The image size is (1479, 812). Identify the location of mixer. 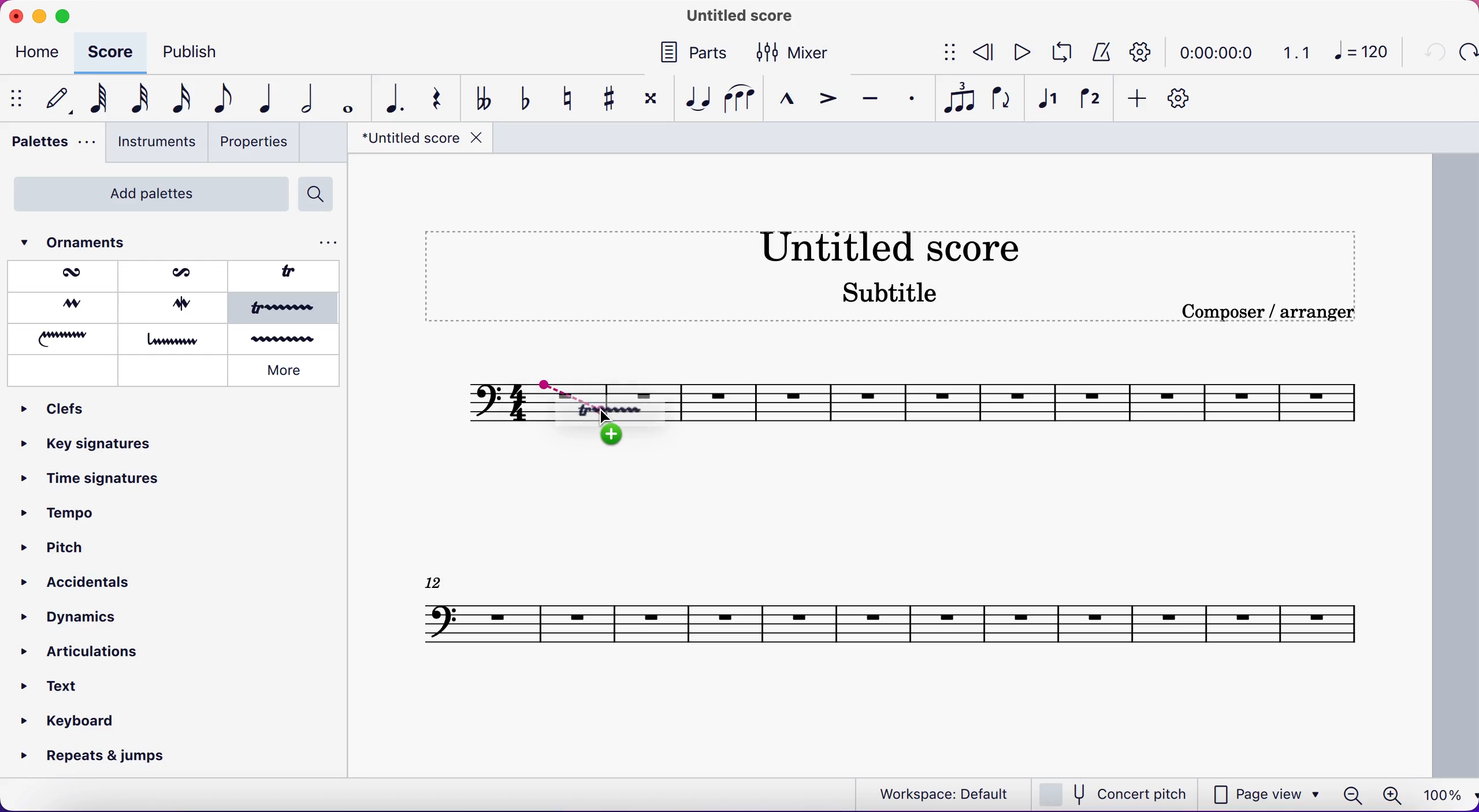
(801, 52).